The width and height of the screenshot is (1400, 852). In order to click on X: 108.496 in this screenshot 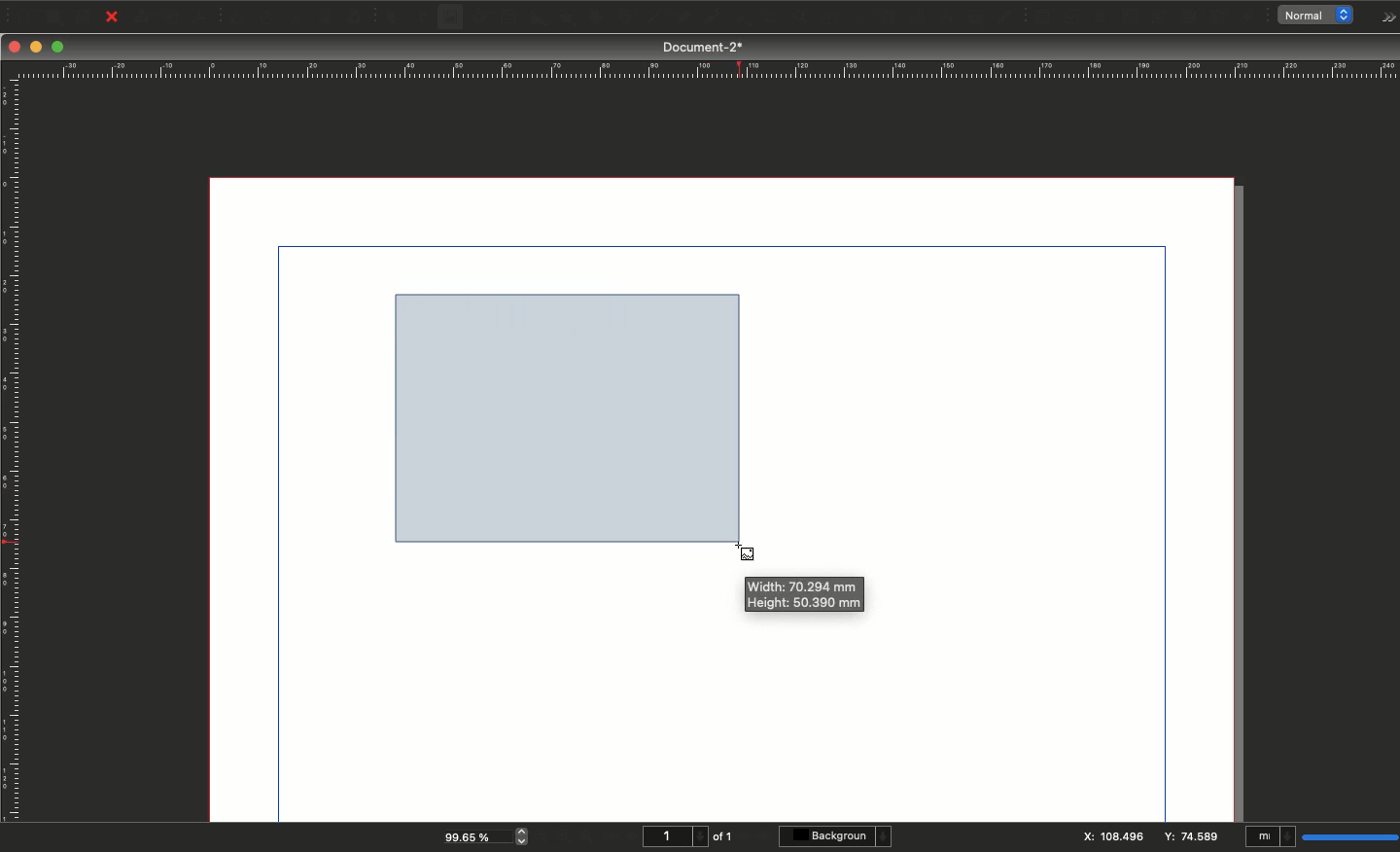, I will do `click(1112, 836)`.